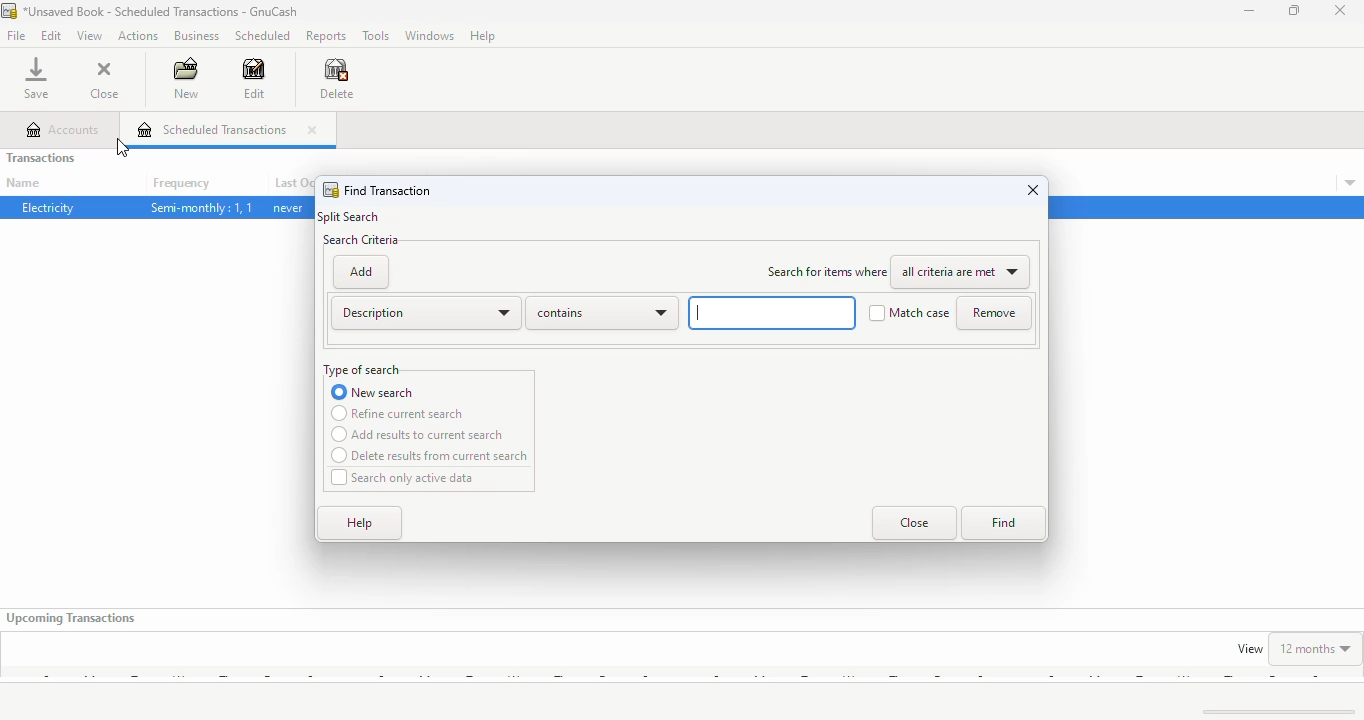  I want to click on last occur, so click(292, 183).